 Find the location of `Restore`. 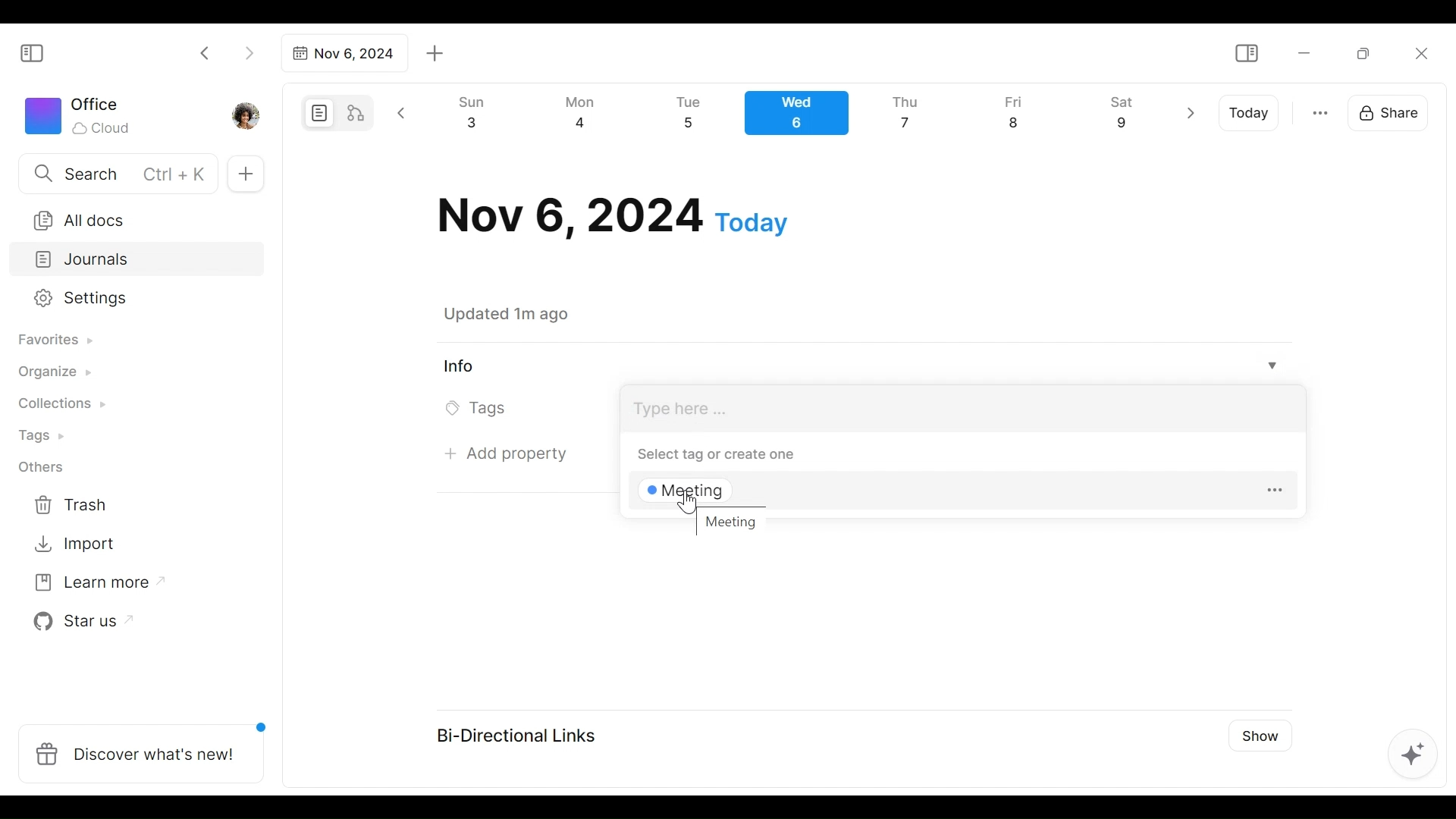

Restore is located at coordinates (1369, 52).